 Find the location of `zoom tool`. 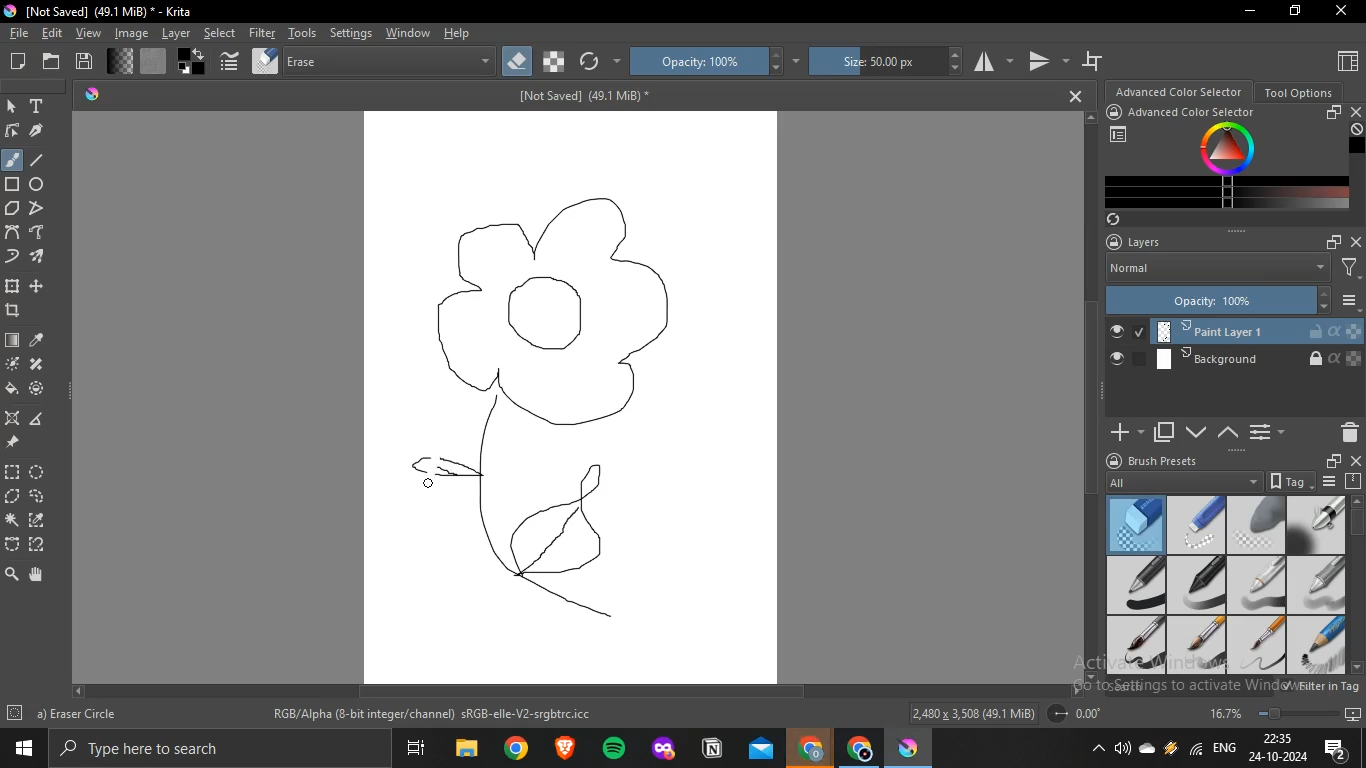

zoom tool is located at coordinates (11, 573).